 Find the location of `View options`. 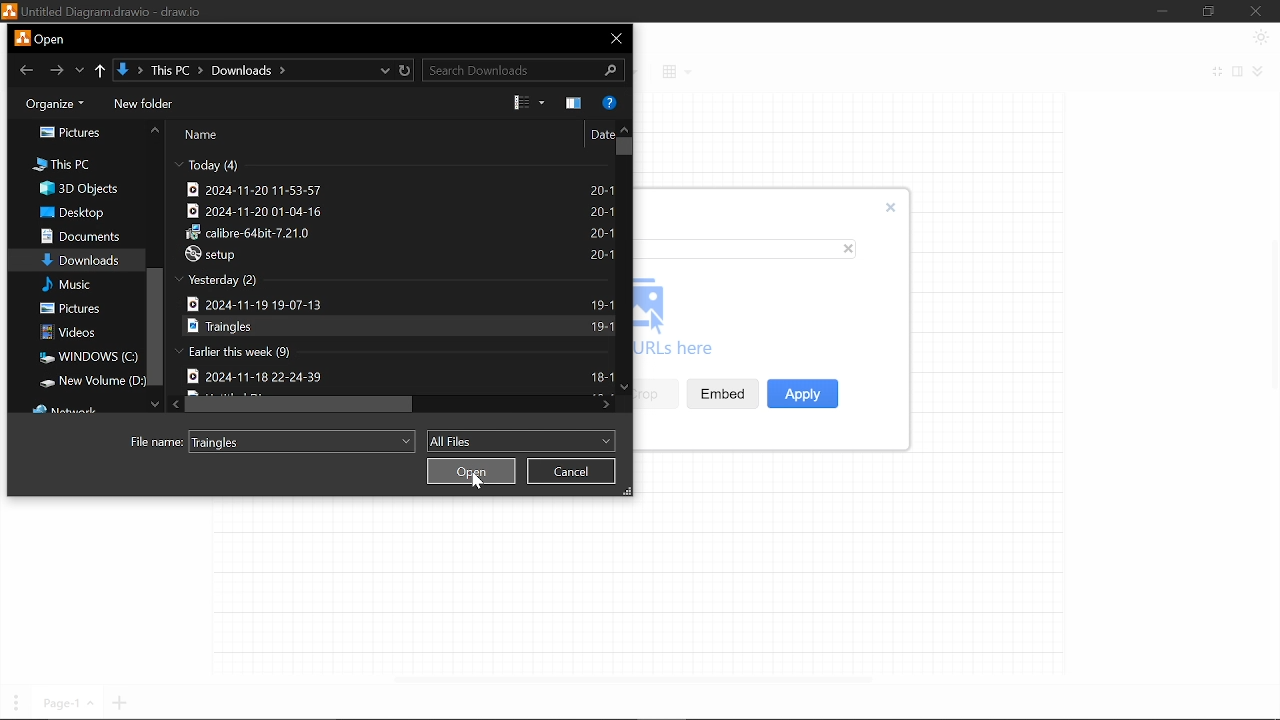

View options is located at coordinates (538, 102).